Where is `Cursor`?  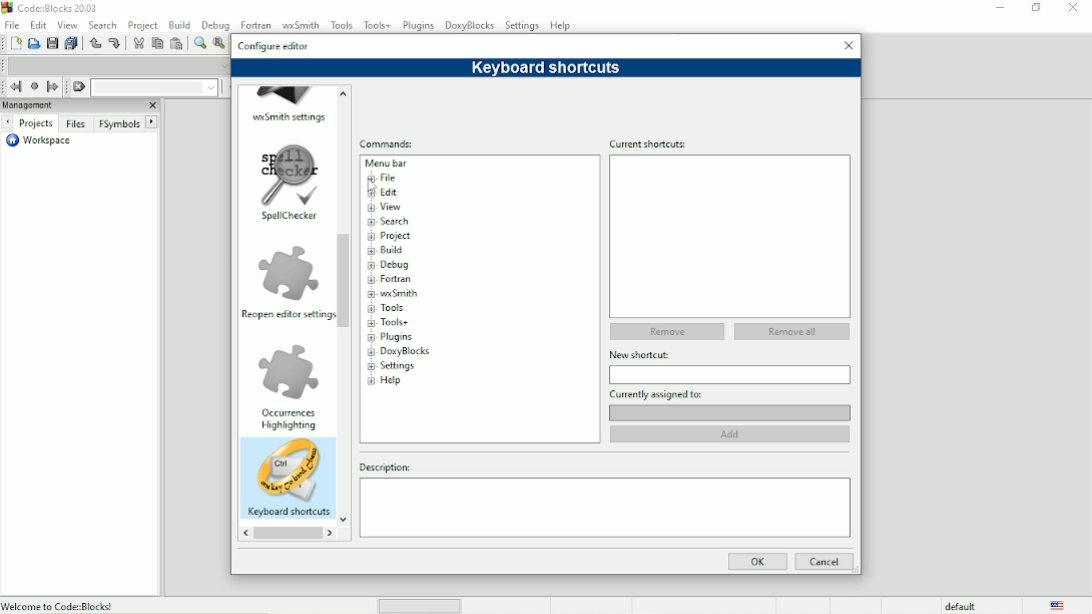
Cursor is located at coordinates (370, 188).